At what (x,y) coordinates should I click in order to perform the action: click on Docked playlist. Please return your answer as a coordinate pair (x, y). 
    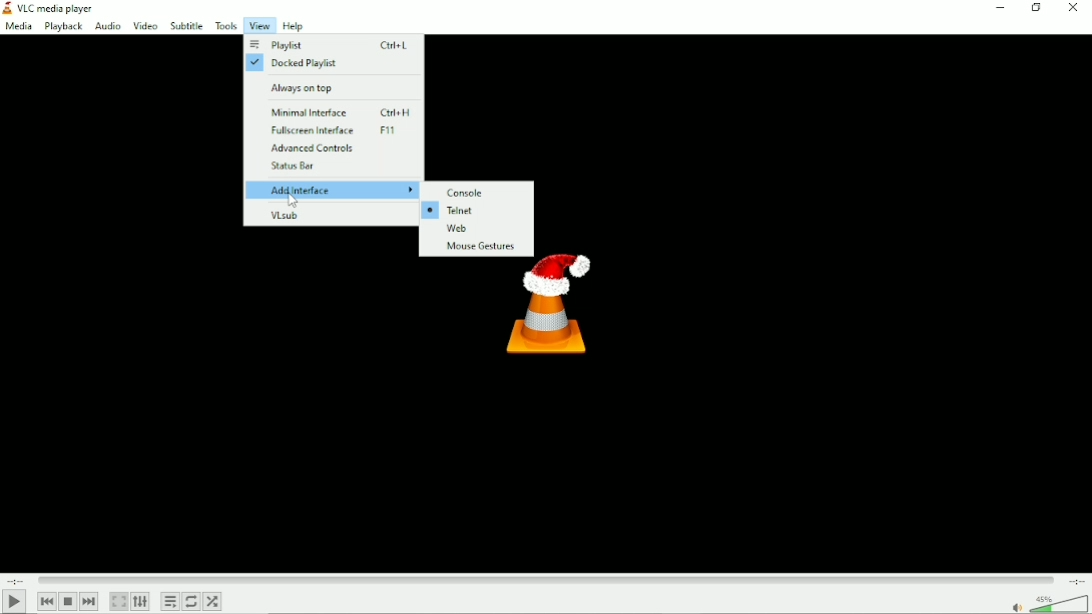
    Looking at the image, I should click on (296, 63).